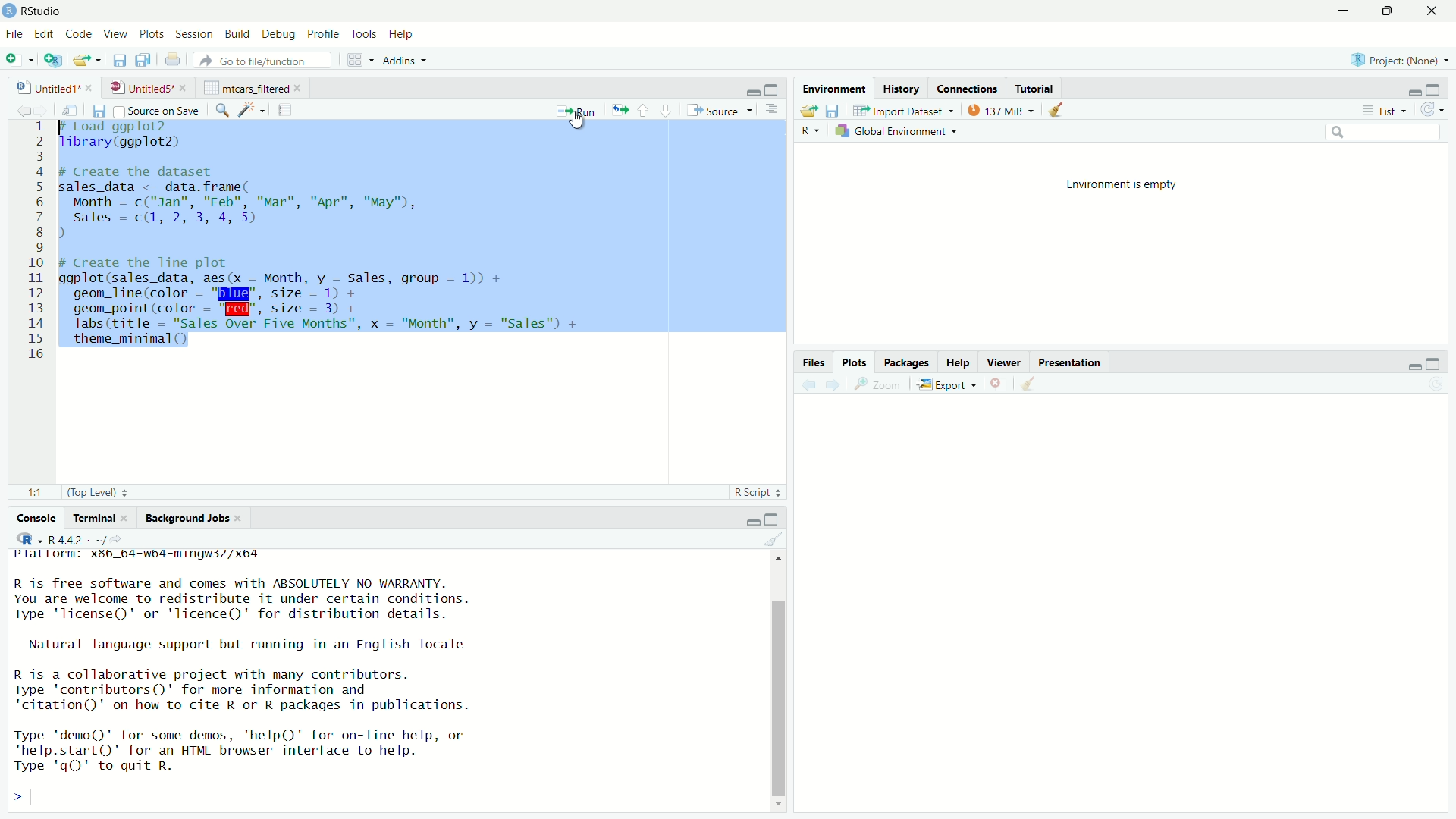 The image size is (1456, 819). What do you see at coordinates (1413, 366) in the screenshot?
I see `minimize` at bounding box center [1413, 366].